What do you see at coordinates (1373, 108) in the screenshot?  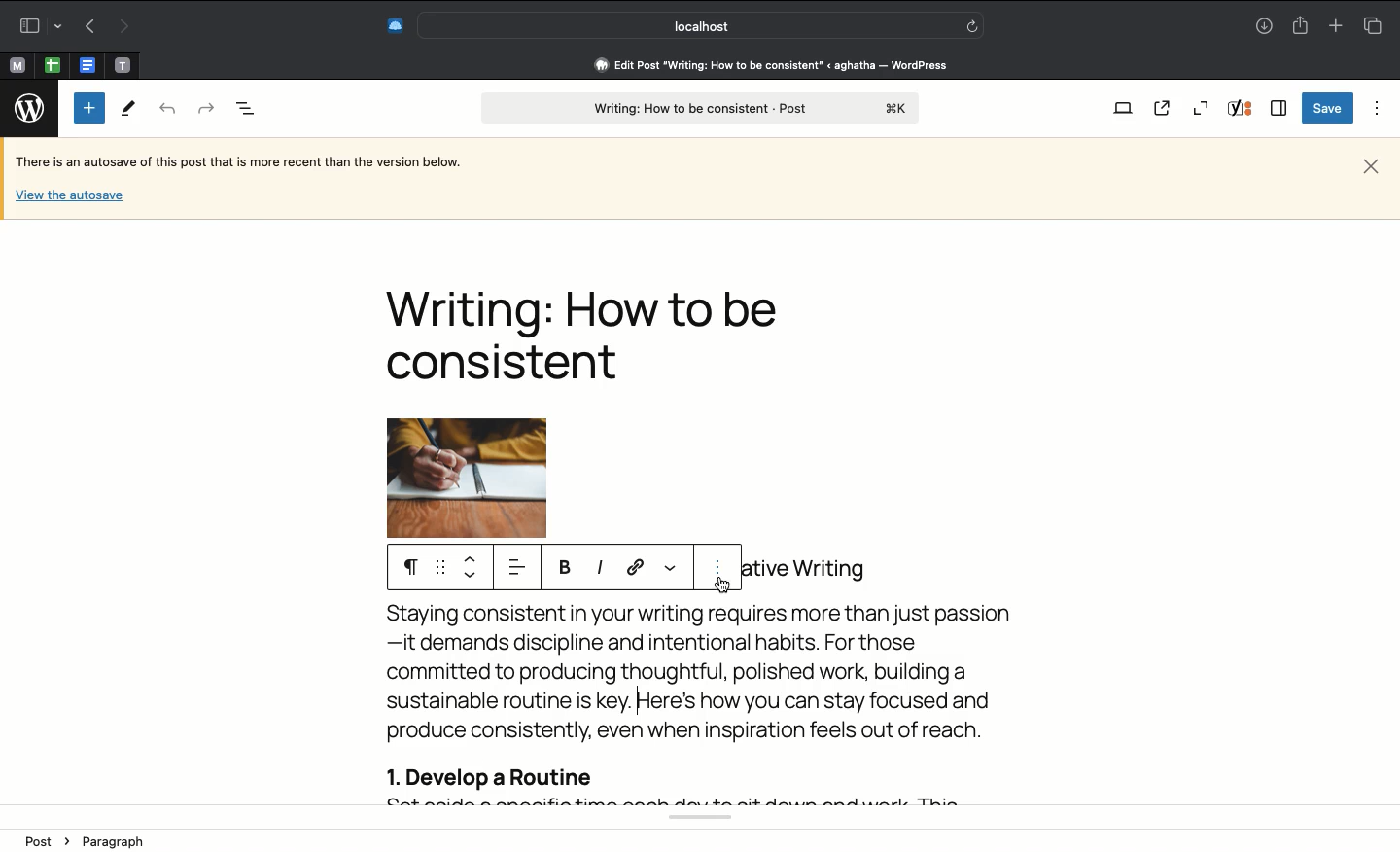 I see `Options` at bounding box center [1373, 108].